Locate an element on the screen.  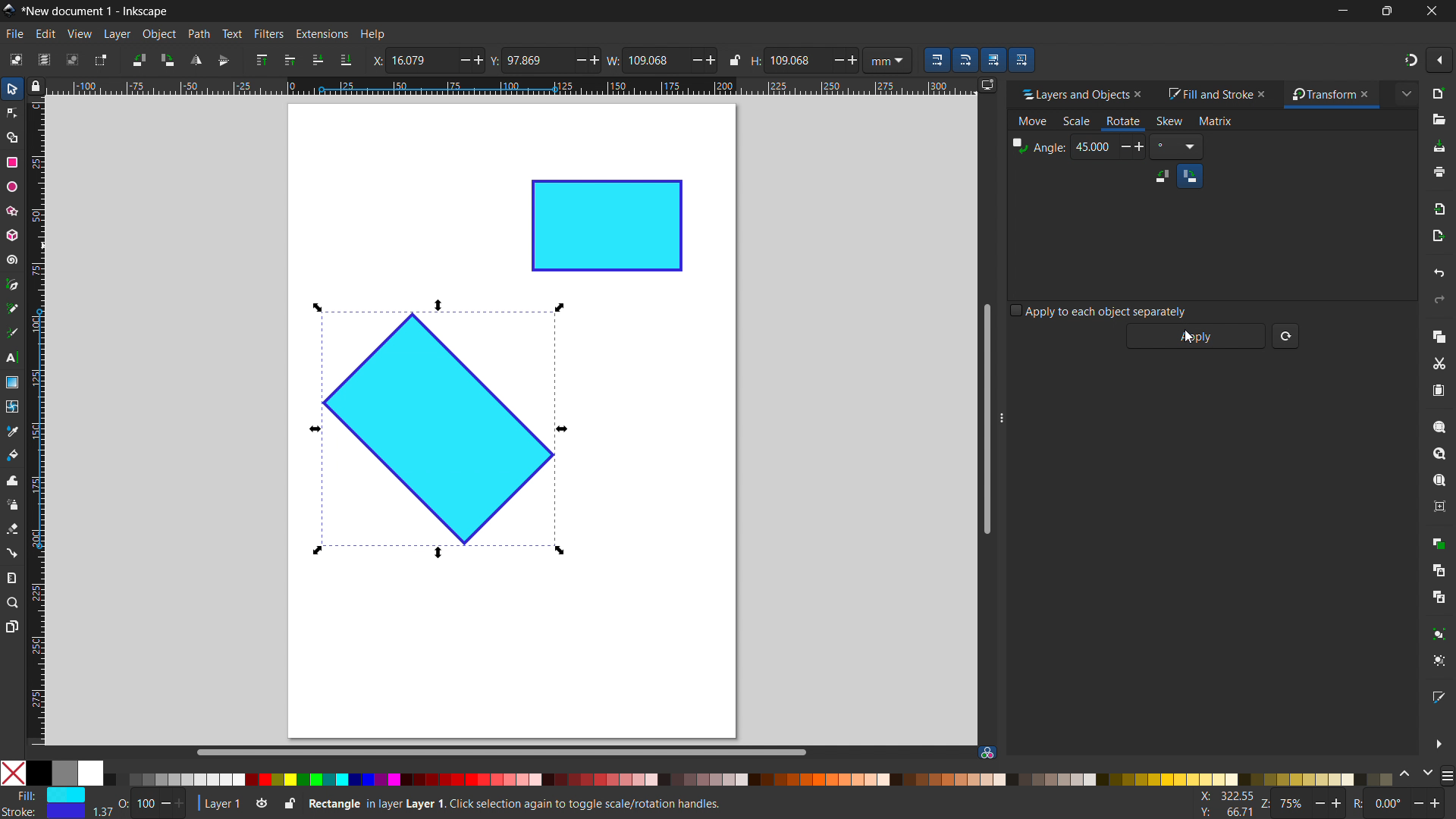
unlink clone is located at coordinates (1439, 597).